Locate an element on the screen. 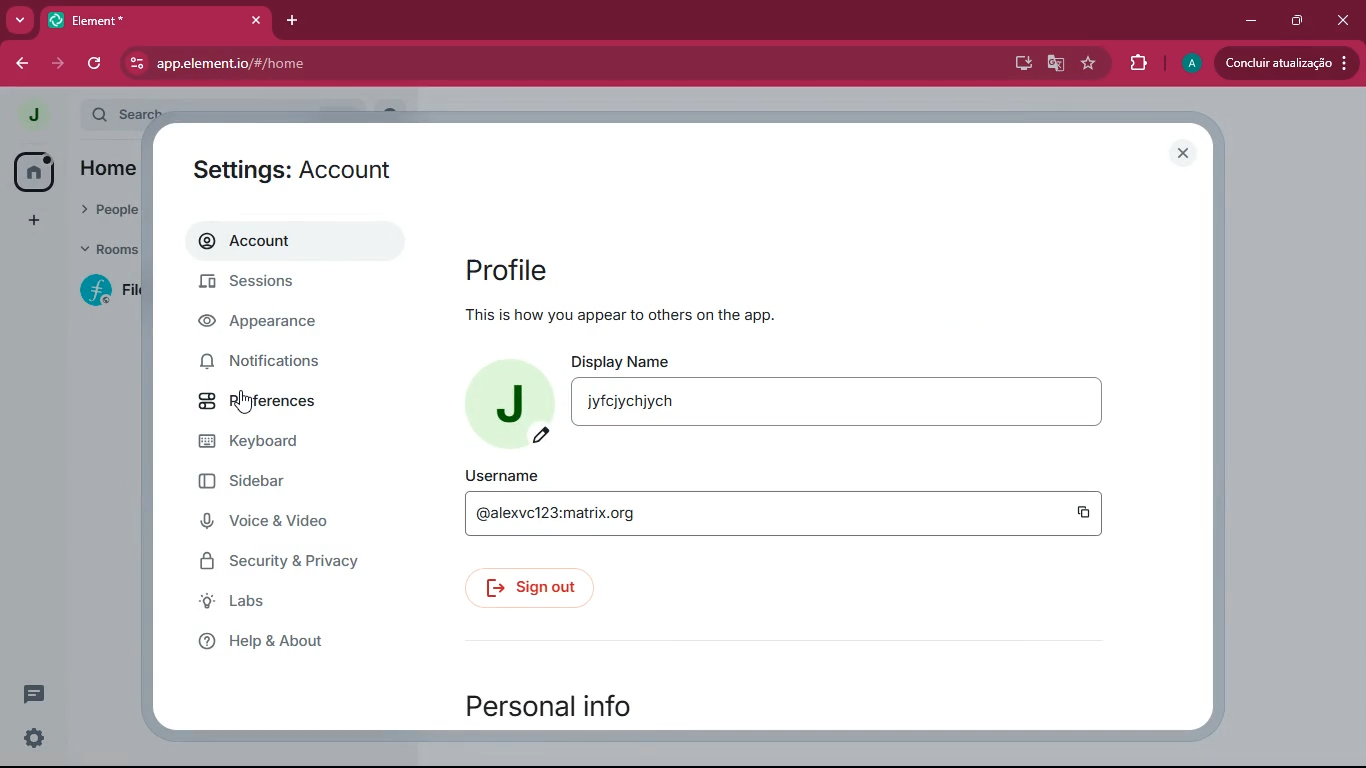 The width and height of the screenshot is (1366, 768). keyboard is located at coordinates (283, 445).